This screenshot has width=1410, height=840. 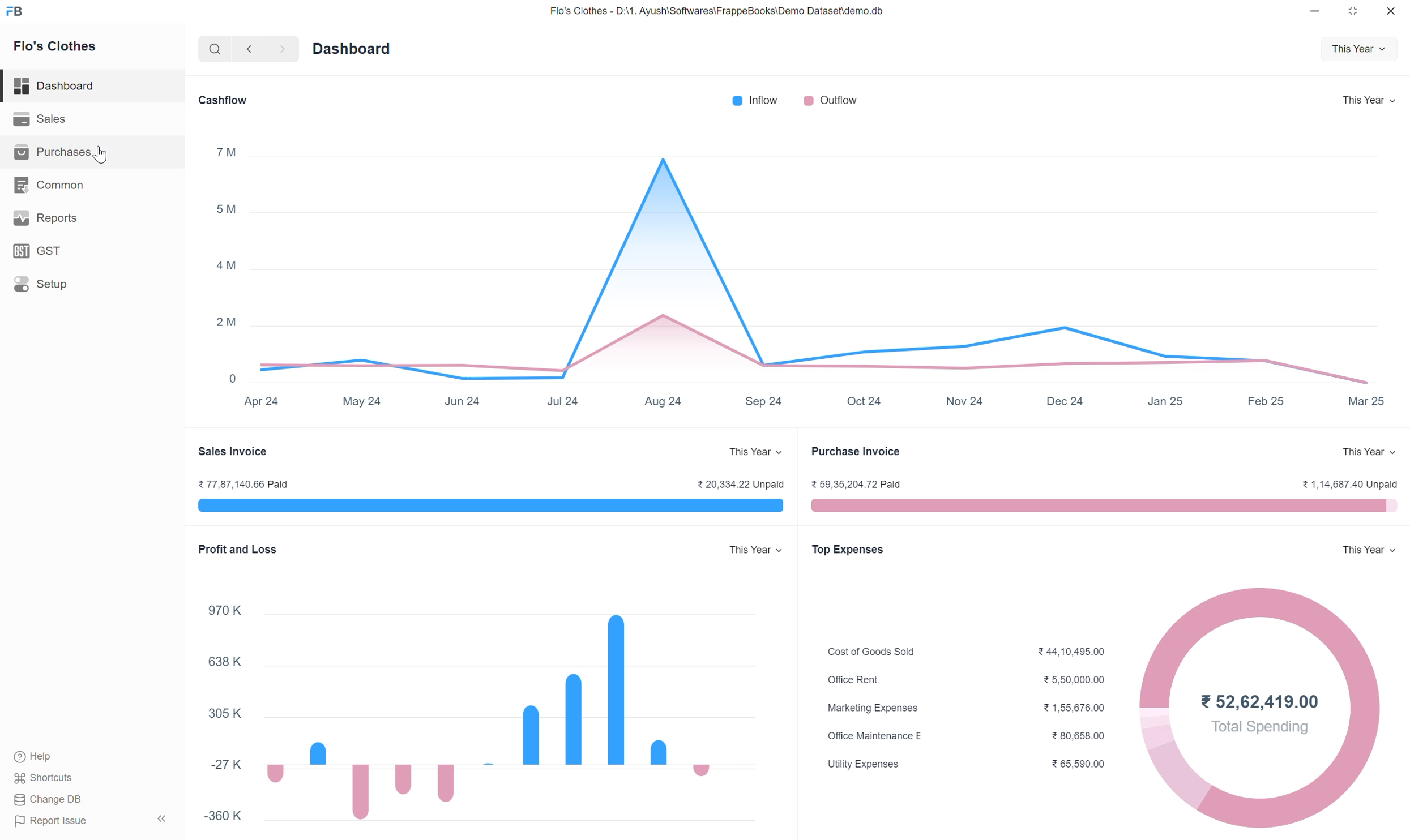 I want to click on 638 K, so click(x=225, y=662).